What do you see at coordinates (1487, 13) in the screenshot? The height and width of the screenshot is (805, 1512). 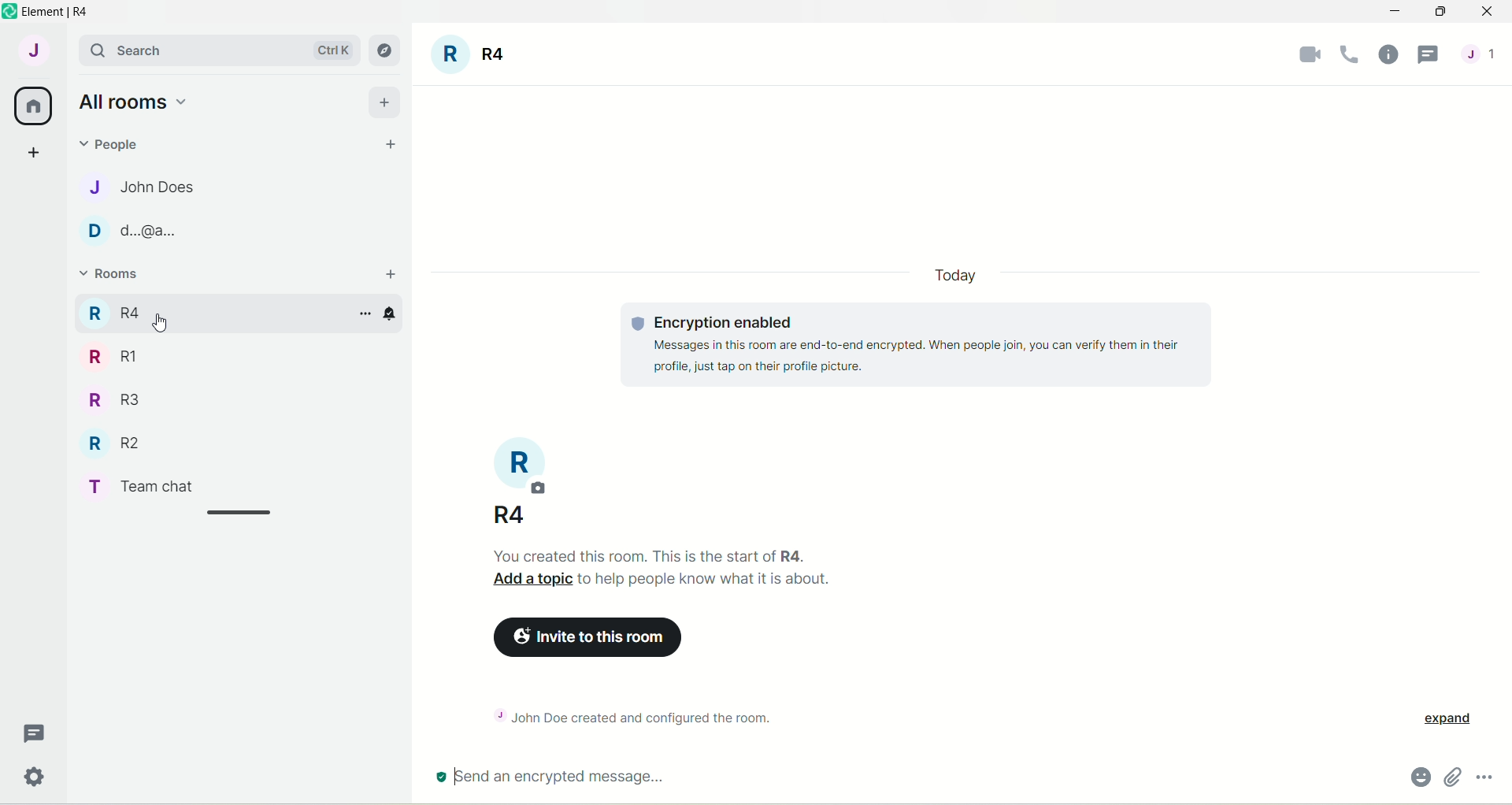 I see `close` at bounding box center [1487, 13].